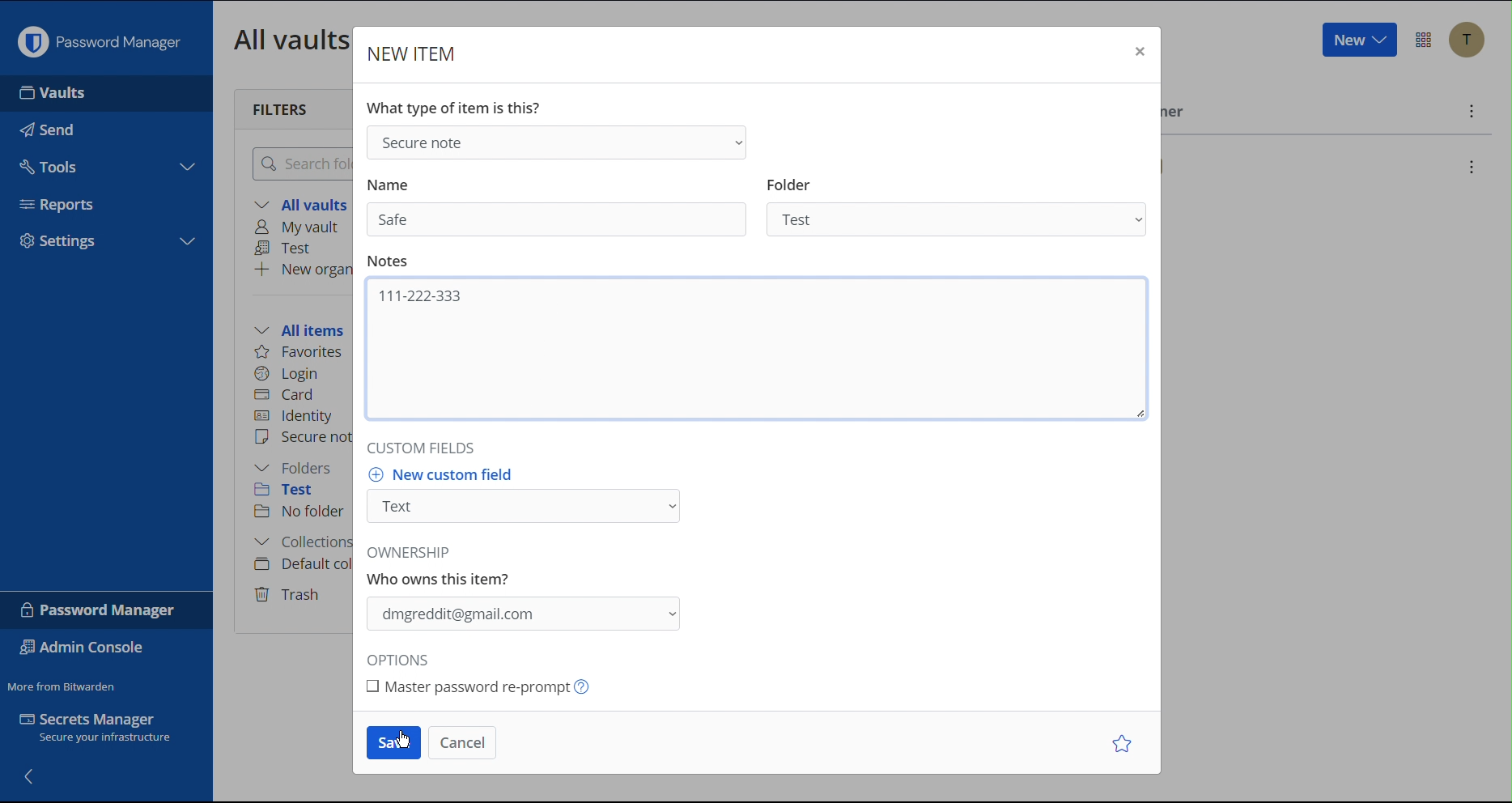 Image resolution: width=1512 pixels, height=803 pixels. What do you see at coordinates (417, 447) in the screenshot?
I see `Custom Fields` at bounding box center [417, 447].